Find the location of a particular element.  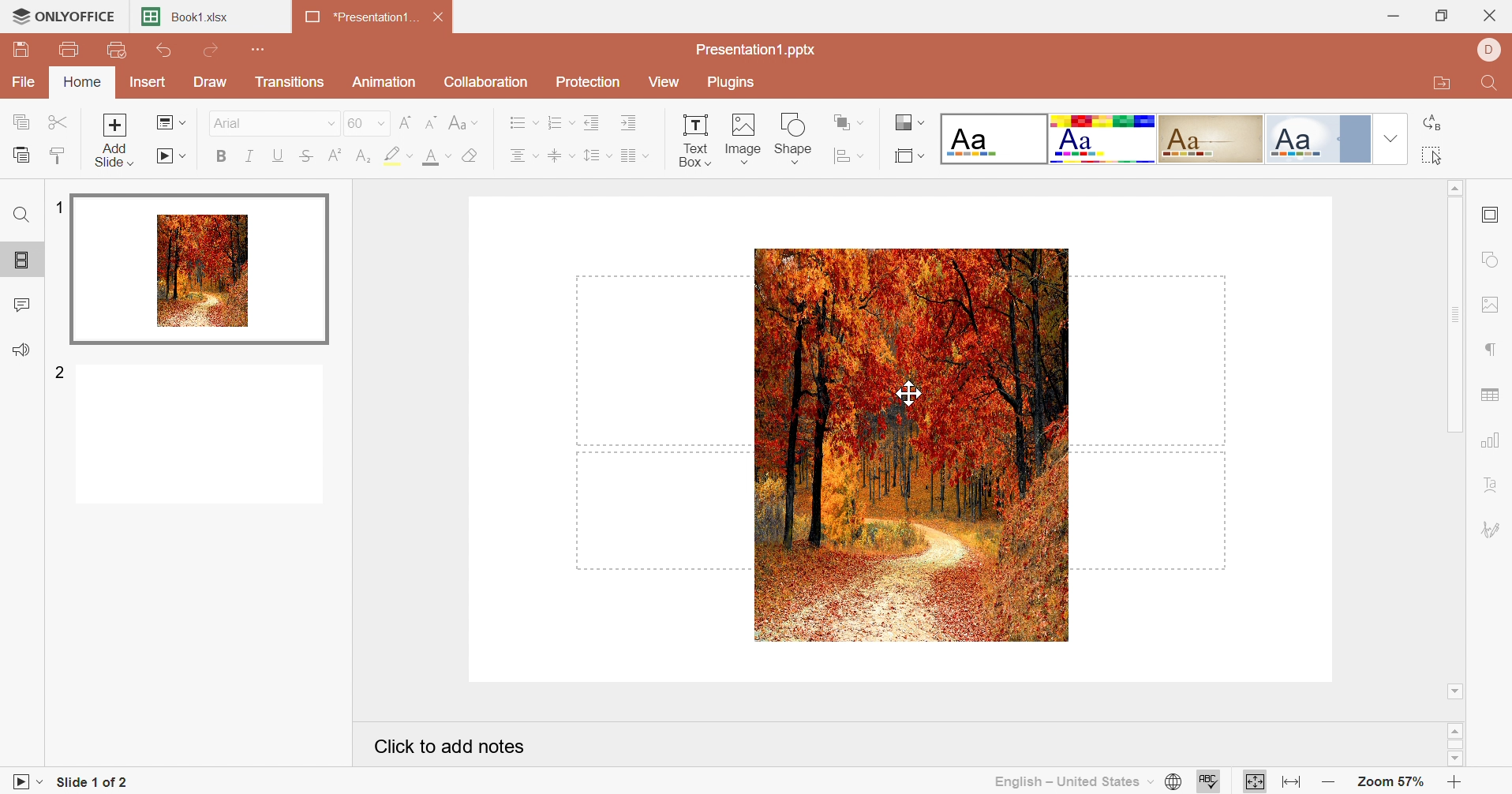

Add slide is located at coordinates (113, 142).